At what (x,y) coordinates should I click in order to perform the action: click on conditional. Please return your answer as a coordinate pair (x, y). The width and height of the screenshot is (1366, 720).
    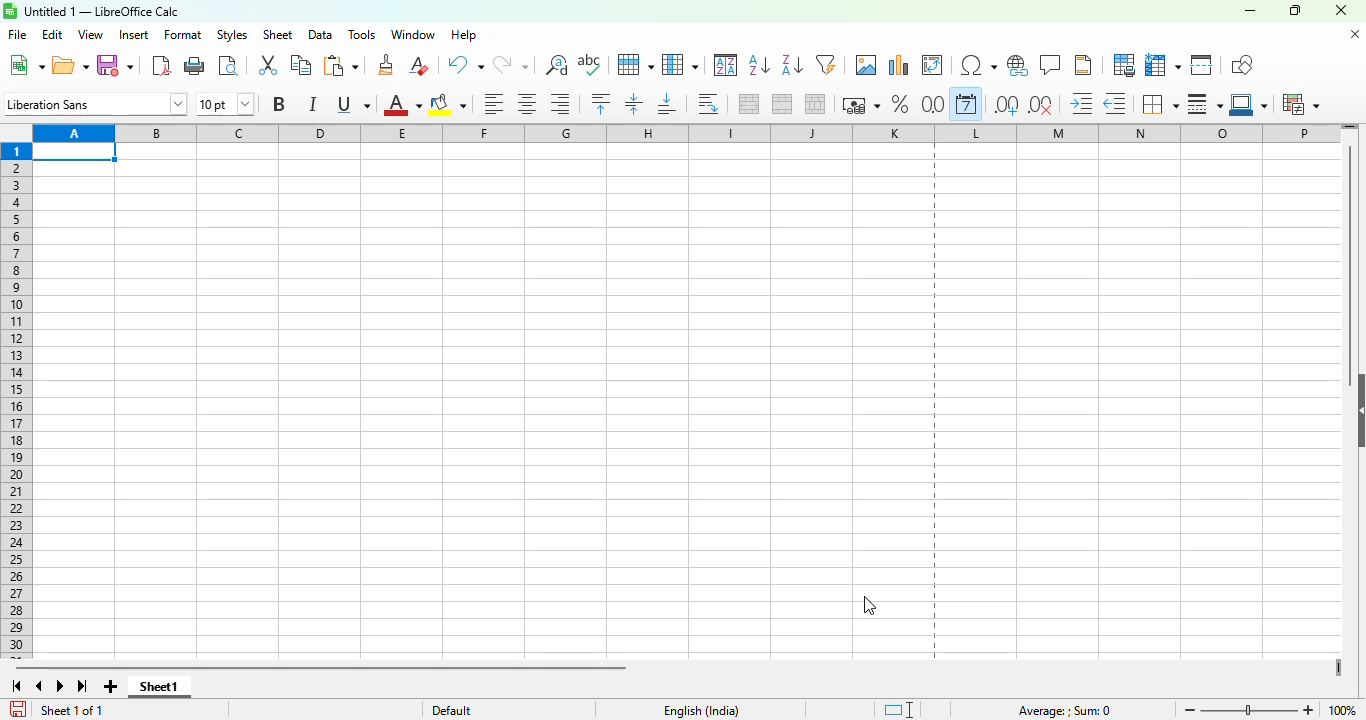
    Looking at the image, I should click on (1299, 104).